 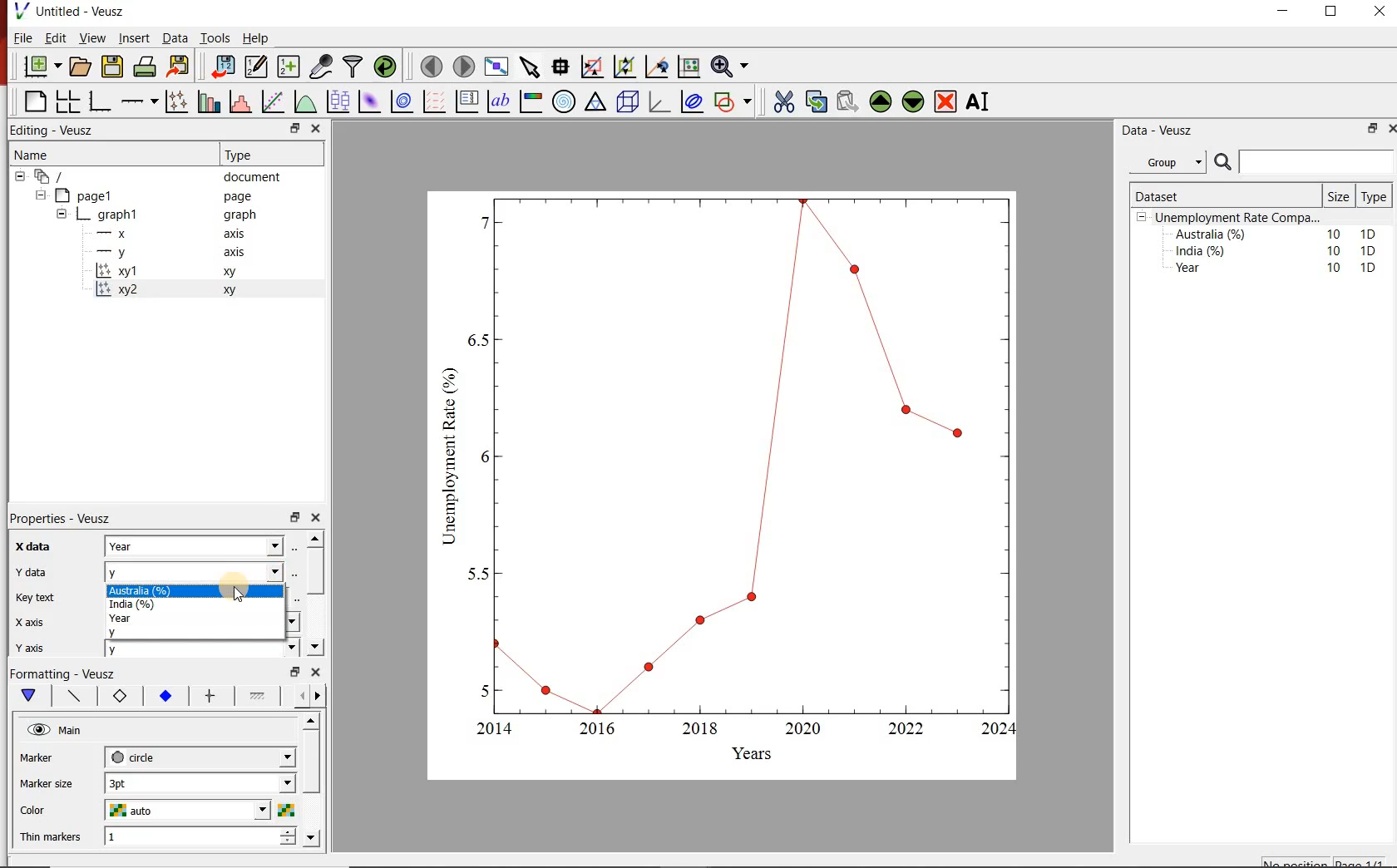 What do you see at coordinates (432, 65) in the screenshot?
I see `move to previous page` at bounding box center [432, 65].